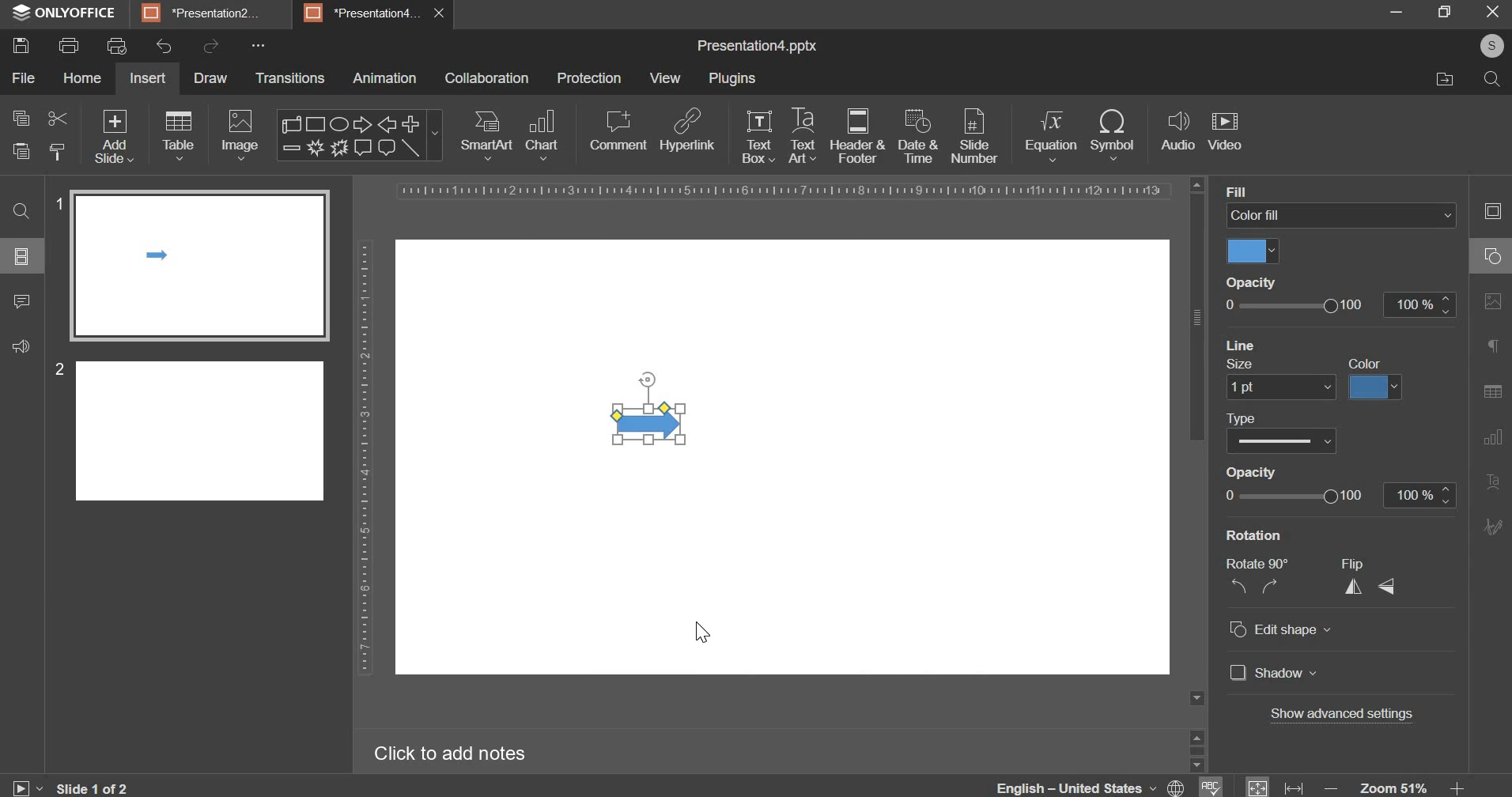  I want to click on Fill, so click(1241, 191).